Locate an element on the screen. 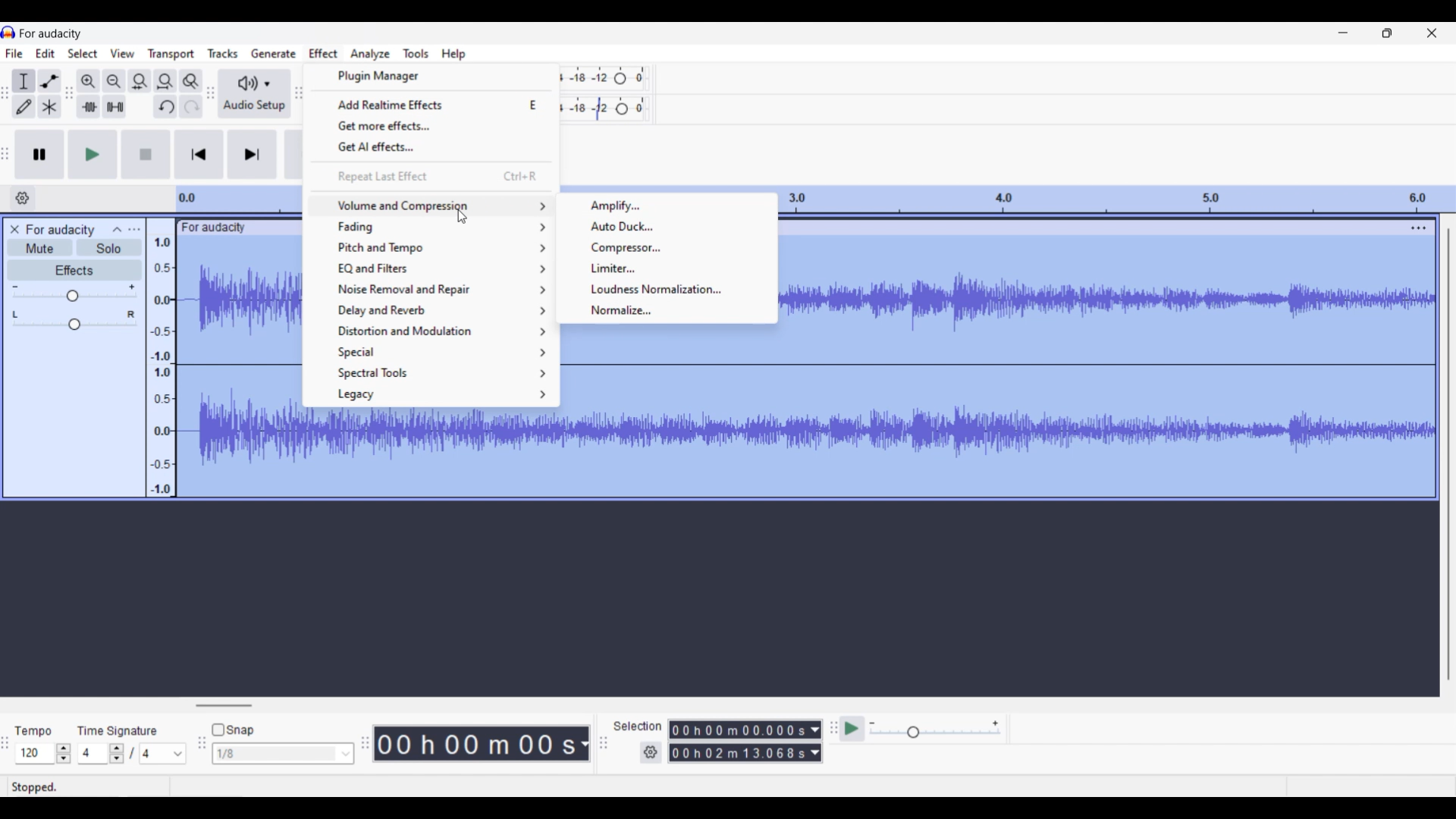 The width and height of the screenshot is (1456, 819). Play/Play once is located at coordinates (93, 155).